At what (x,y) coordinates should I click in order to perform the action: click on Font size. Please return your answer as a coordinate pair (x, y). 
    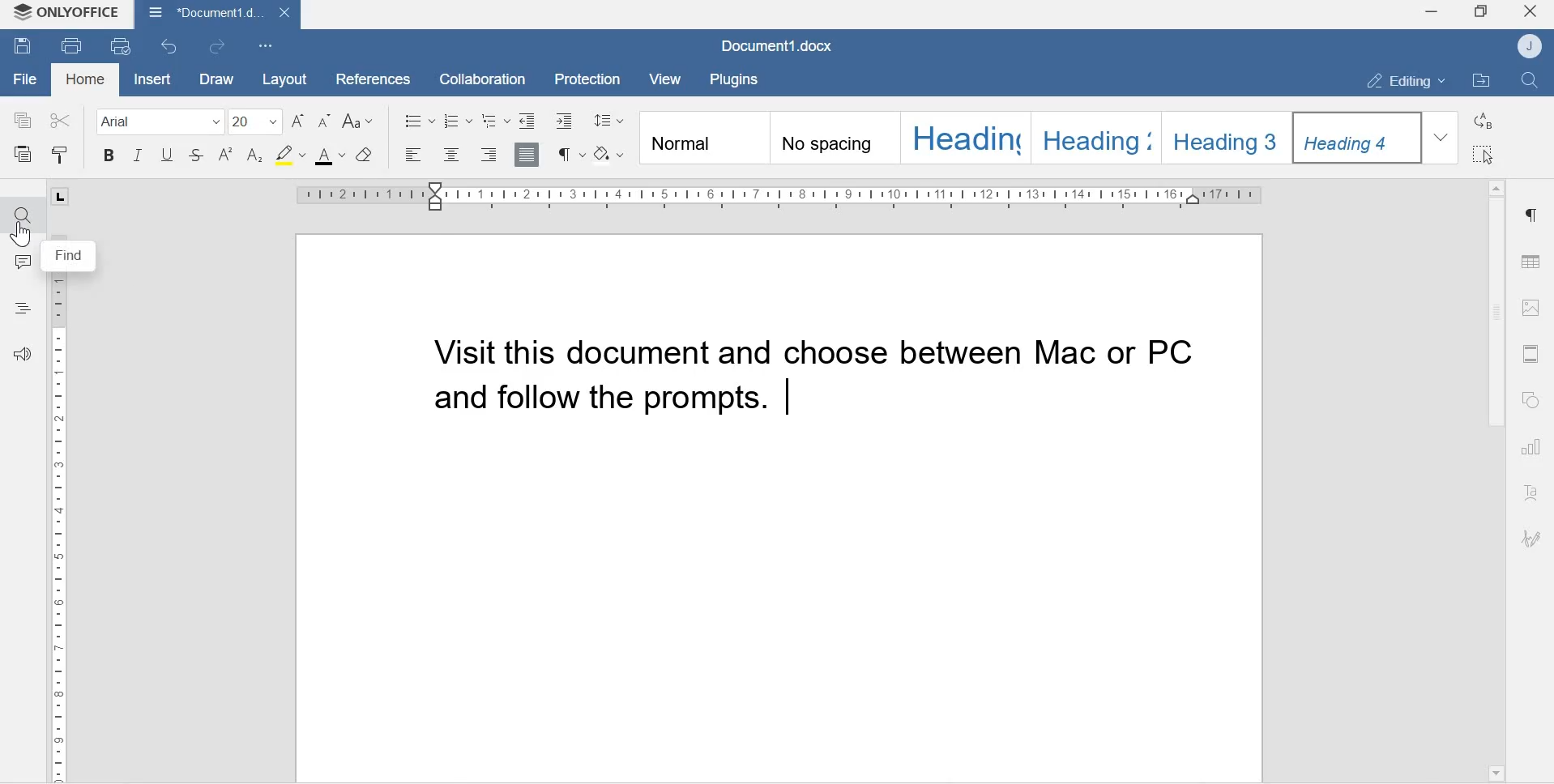
    Looking at the image, I should click on (257, 121).